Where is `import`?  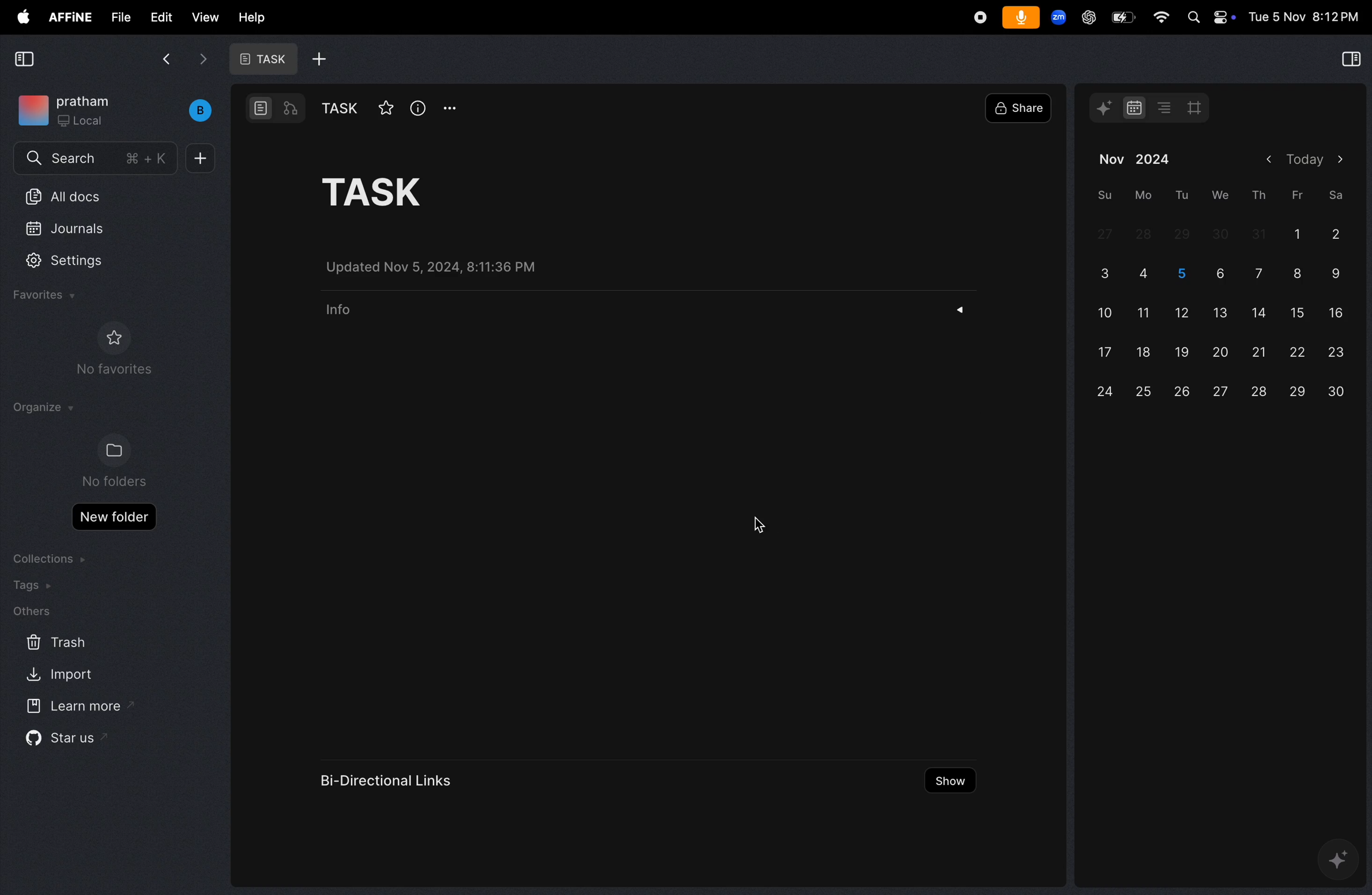
import is located at coordinates (61, 676).